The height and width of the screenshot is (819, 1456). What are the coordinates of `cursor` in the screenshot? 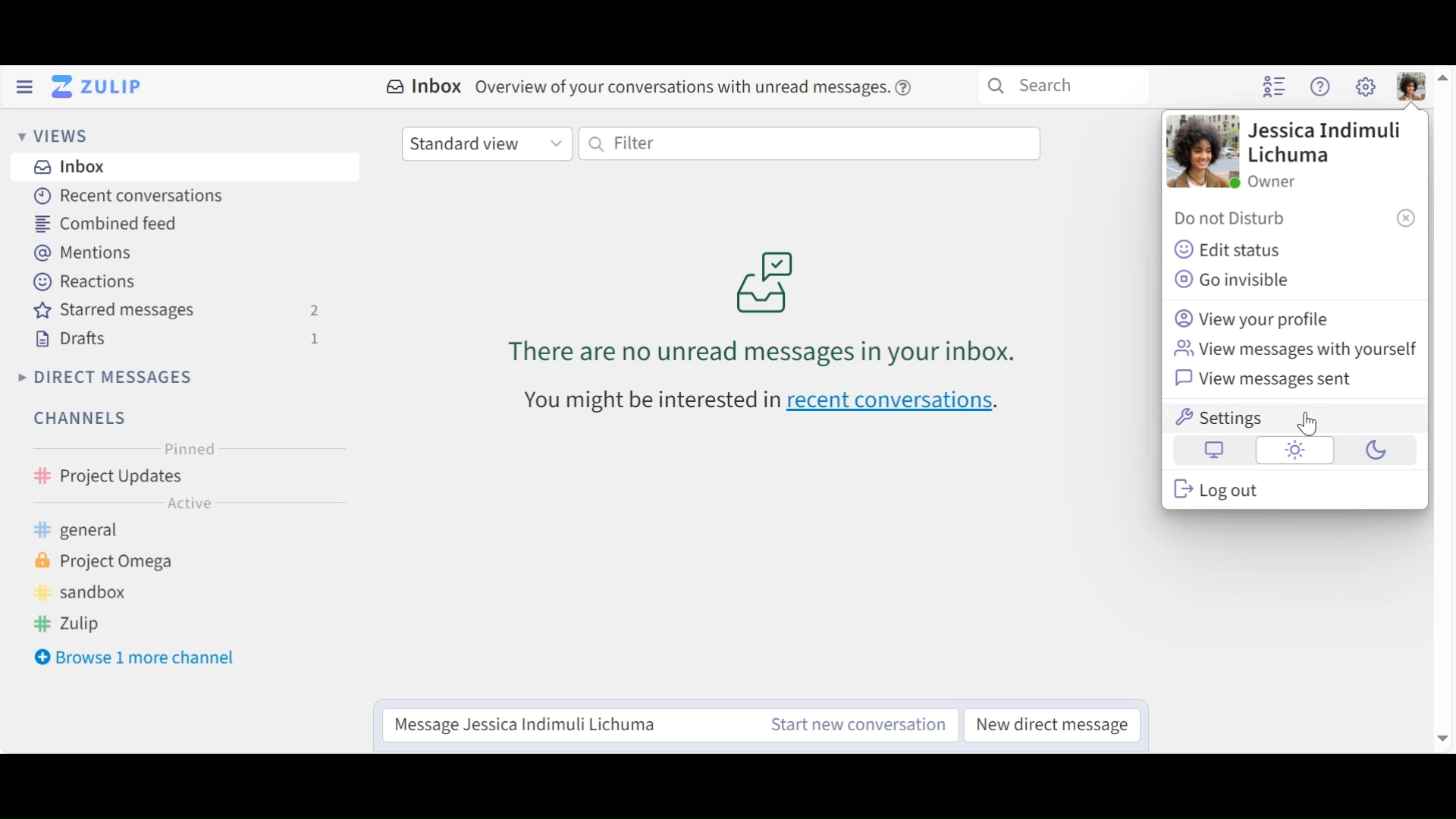 It's located at (1314, 429).